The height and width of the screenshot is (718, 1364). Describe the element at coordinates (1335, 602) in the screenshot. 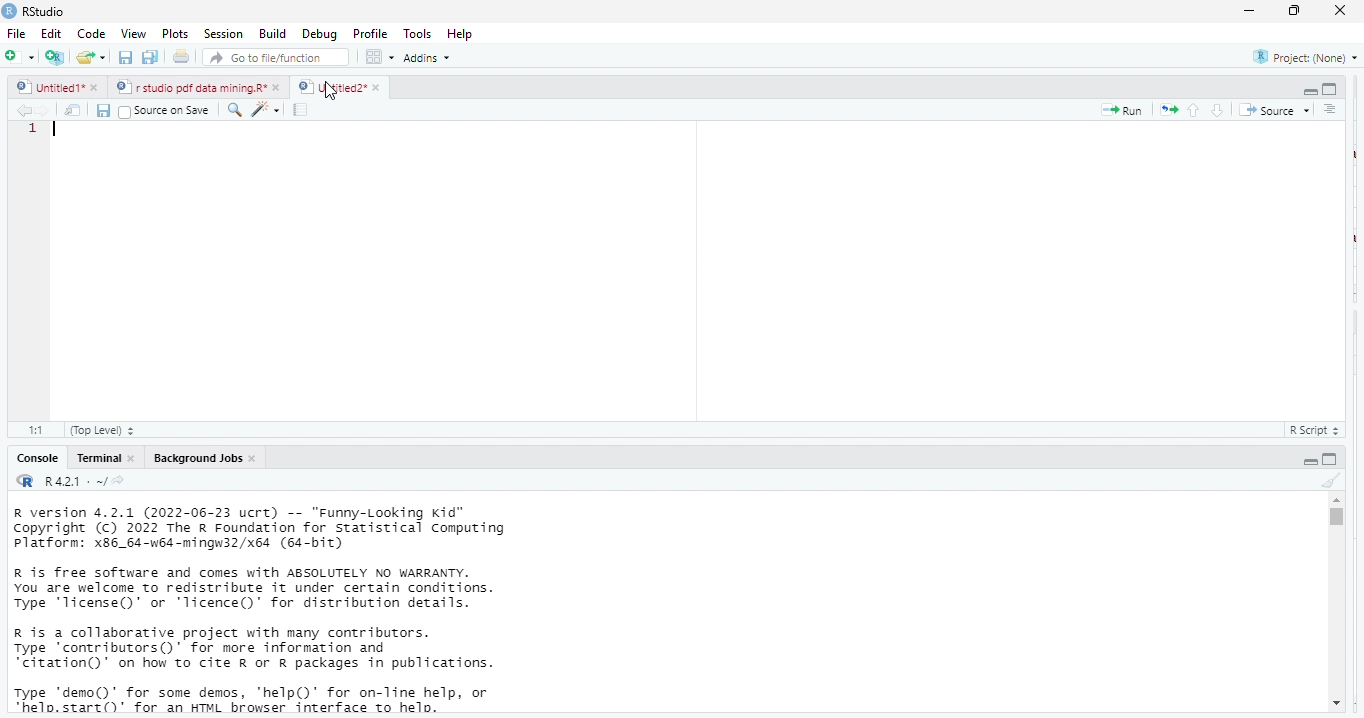

I see `vertical scroll bar` at that location.